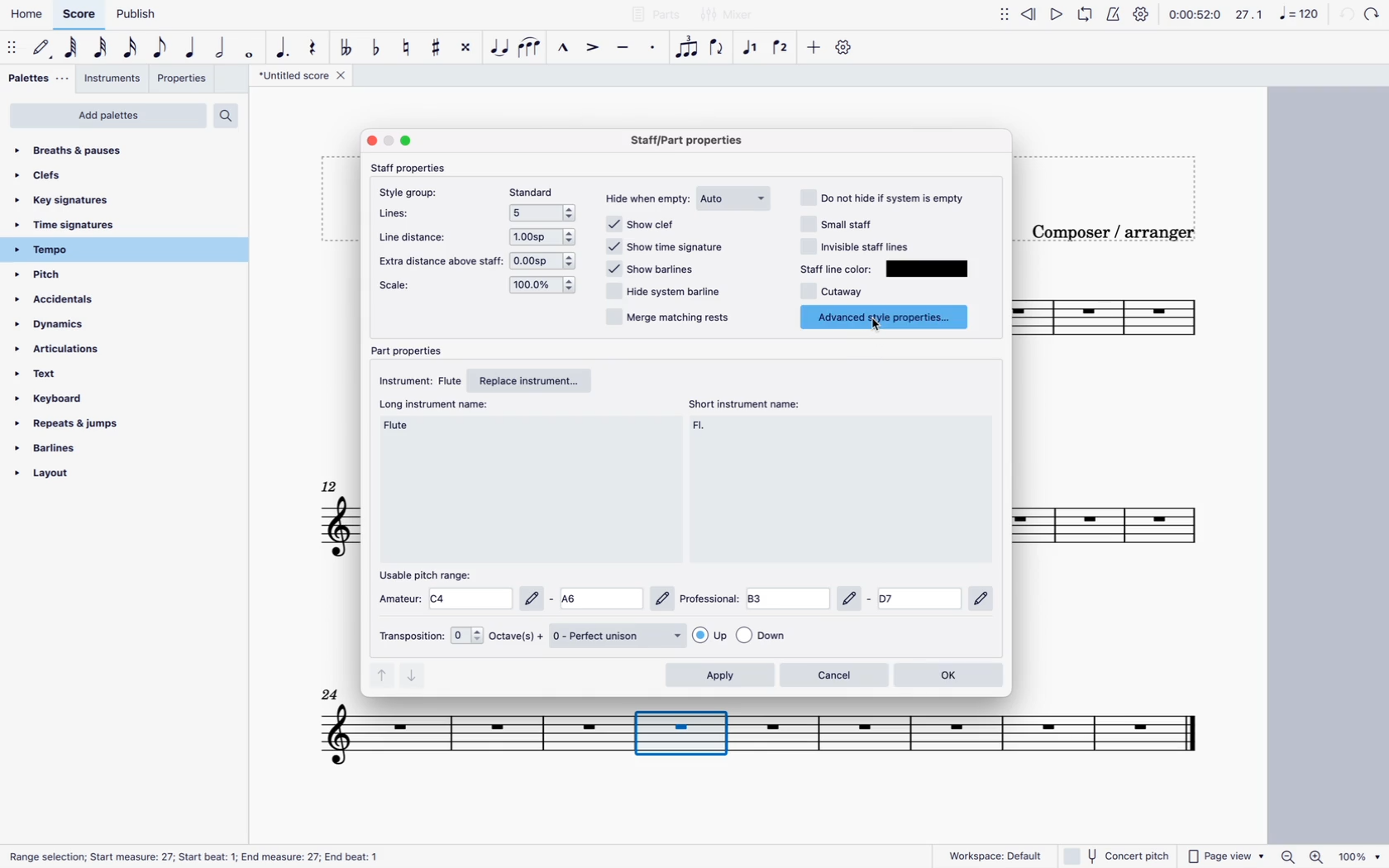 Image resolution: width=1389 pixels, height=868 pixels. Describe the element at coordinates (1119, 856) in the screenshot. I see `concert pitch` at that location.